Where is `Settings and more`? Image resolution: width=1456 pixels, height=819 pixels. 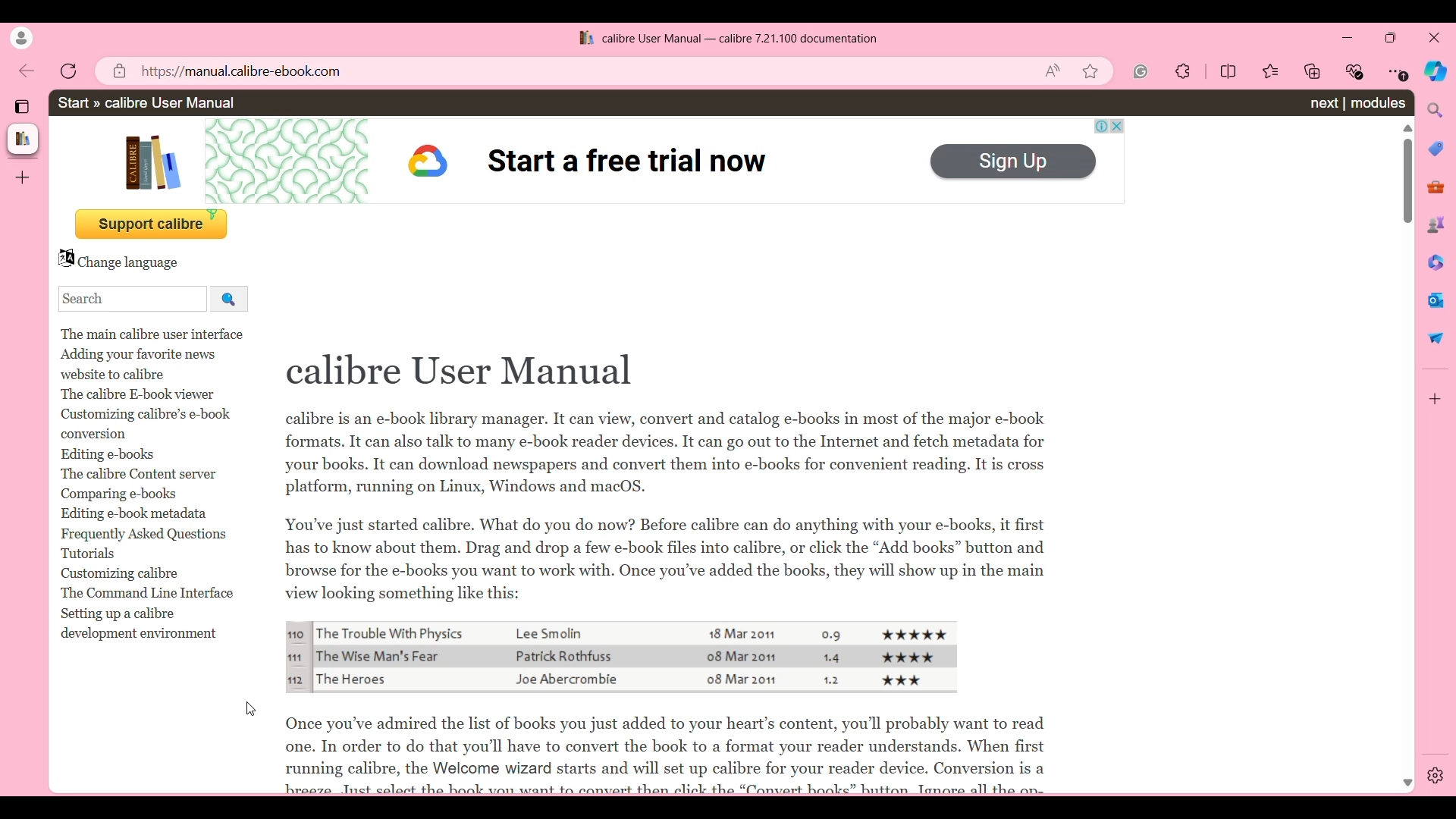 Settings and more is located at coordinates (1398, 73).